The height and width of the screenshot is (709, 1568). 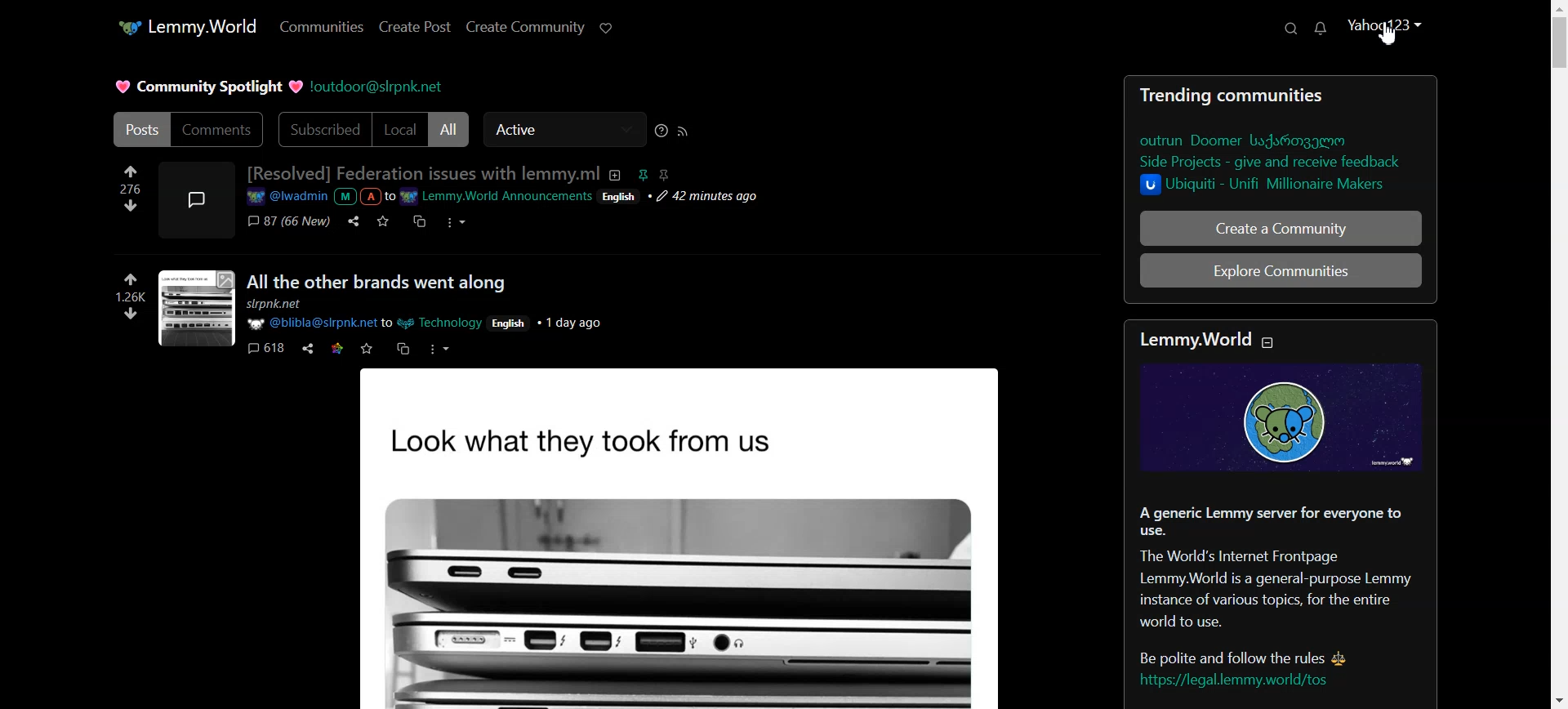 I want to click on save, so click(x=367, y=349).